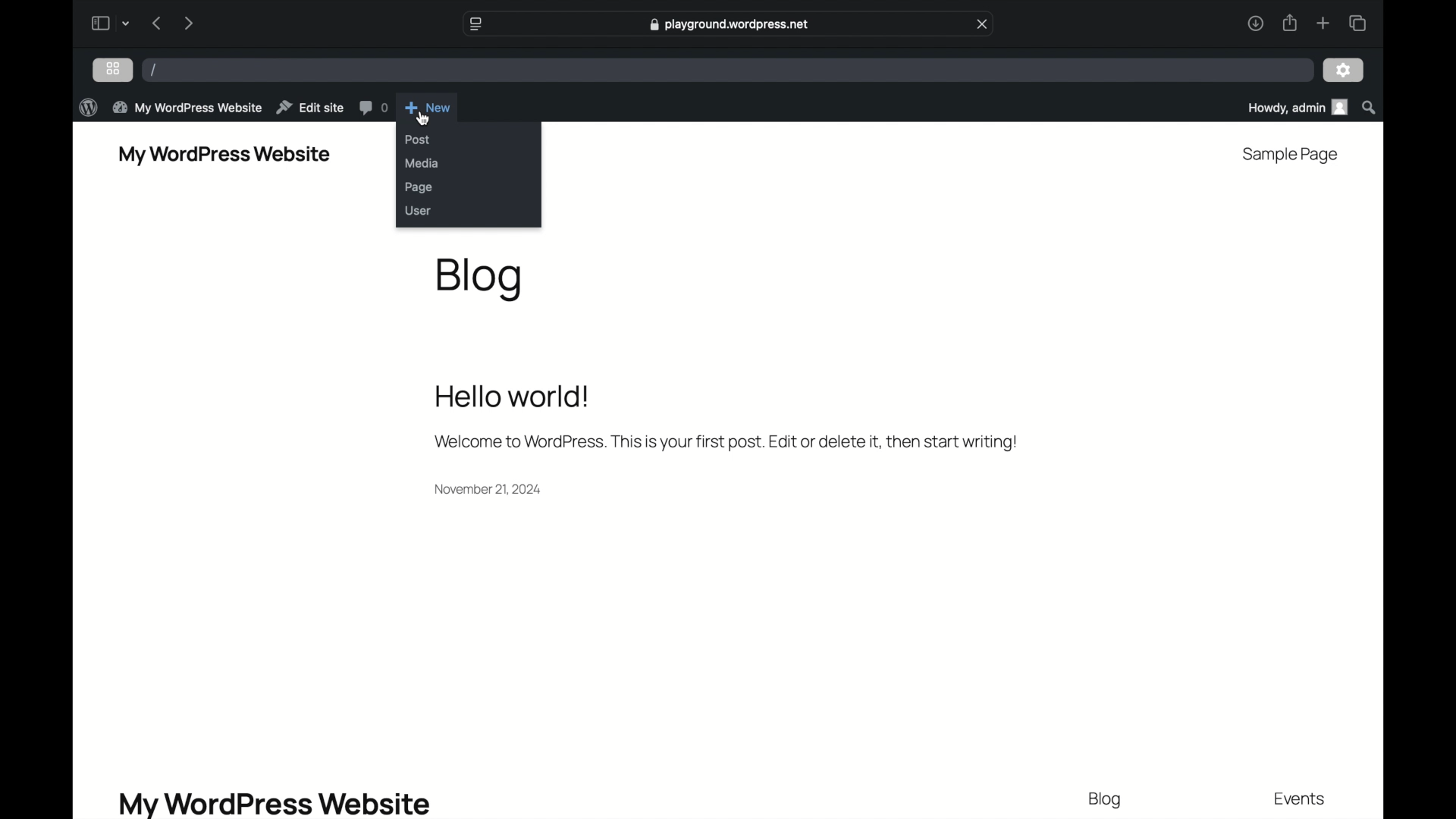  Describe the element at coordinates (1344, 71) in the screenshot. I see `settings` at that location.